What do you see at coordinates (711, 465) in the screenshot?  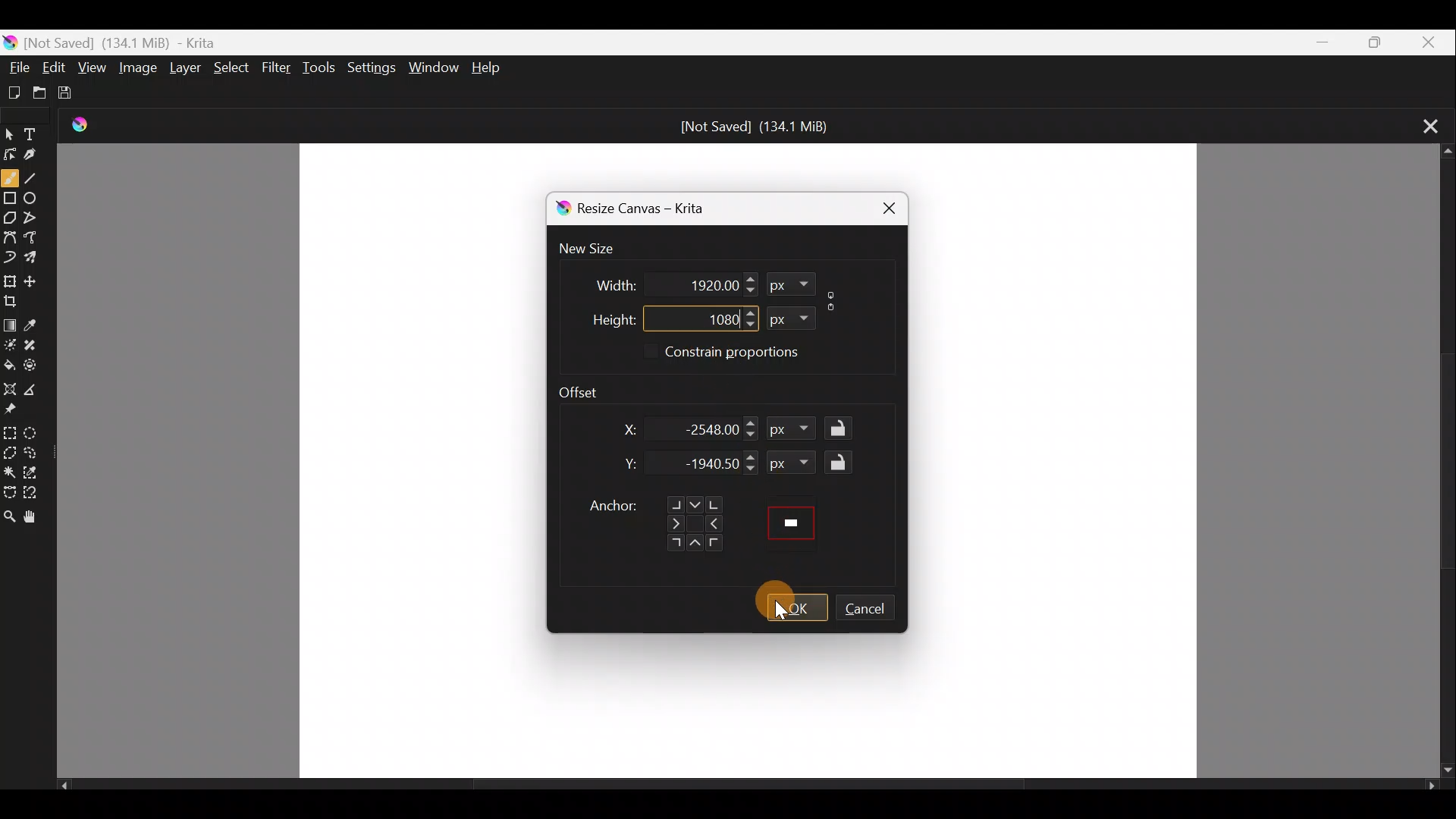 I see `-1940.50` at bounding box center [711, 465].